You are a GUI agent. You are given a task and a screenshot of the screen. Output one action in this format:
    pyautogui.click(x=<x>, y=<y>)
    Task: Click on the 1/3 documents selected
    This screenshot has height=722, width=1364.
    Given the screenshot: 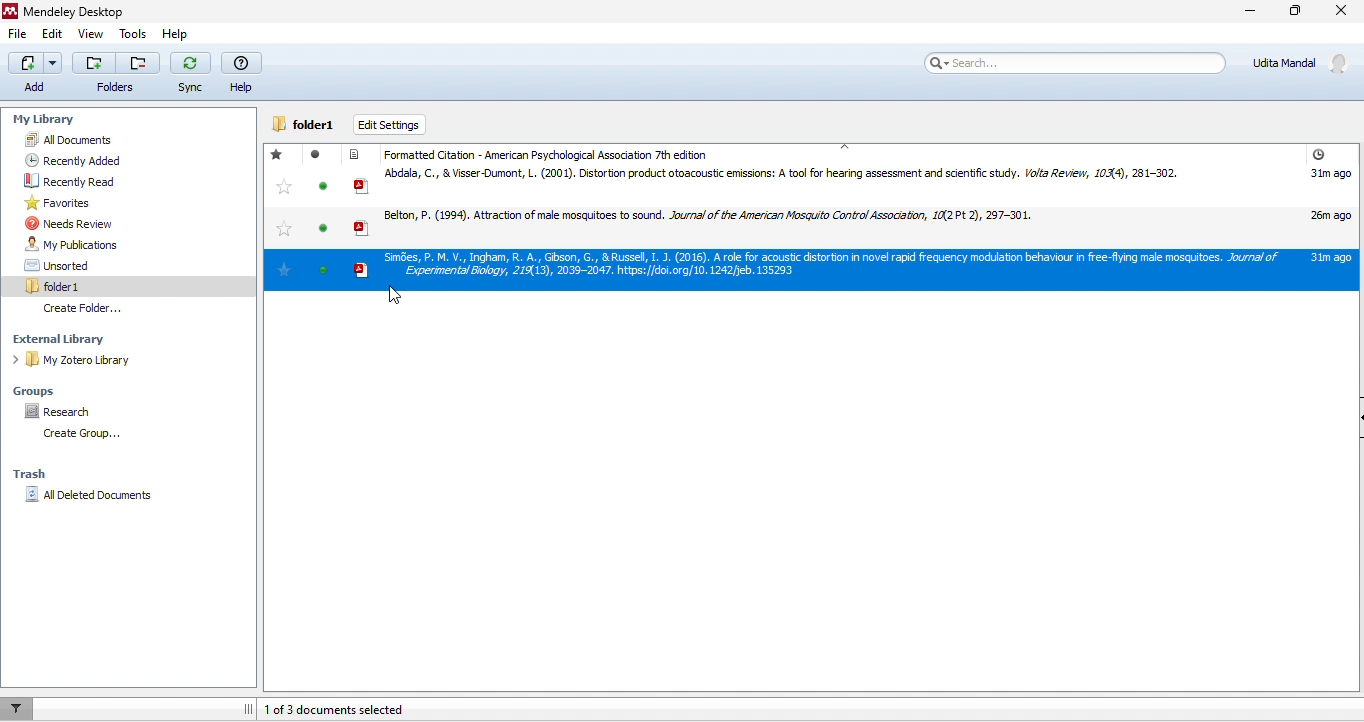 What is the action you would take?
    pyautogui.click(x=355, y=709)
    